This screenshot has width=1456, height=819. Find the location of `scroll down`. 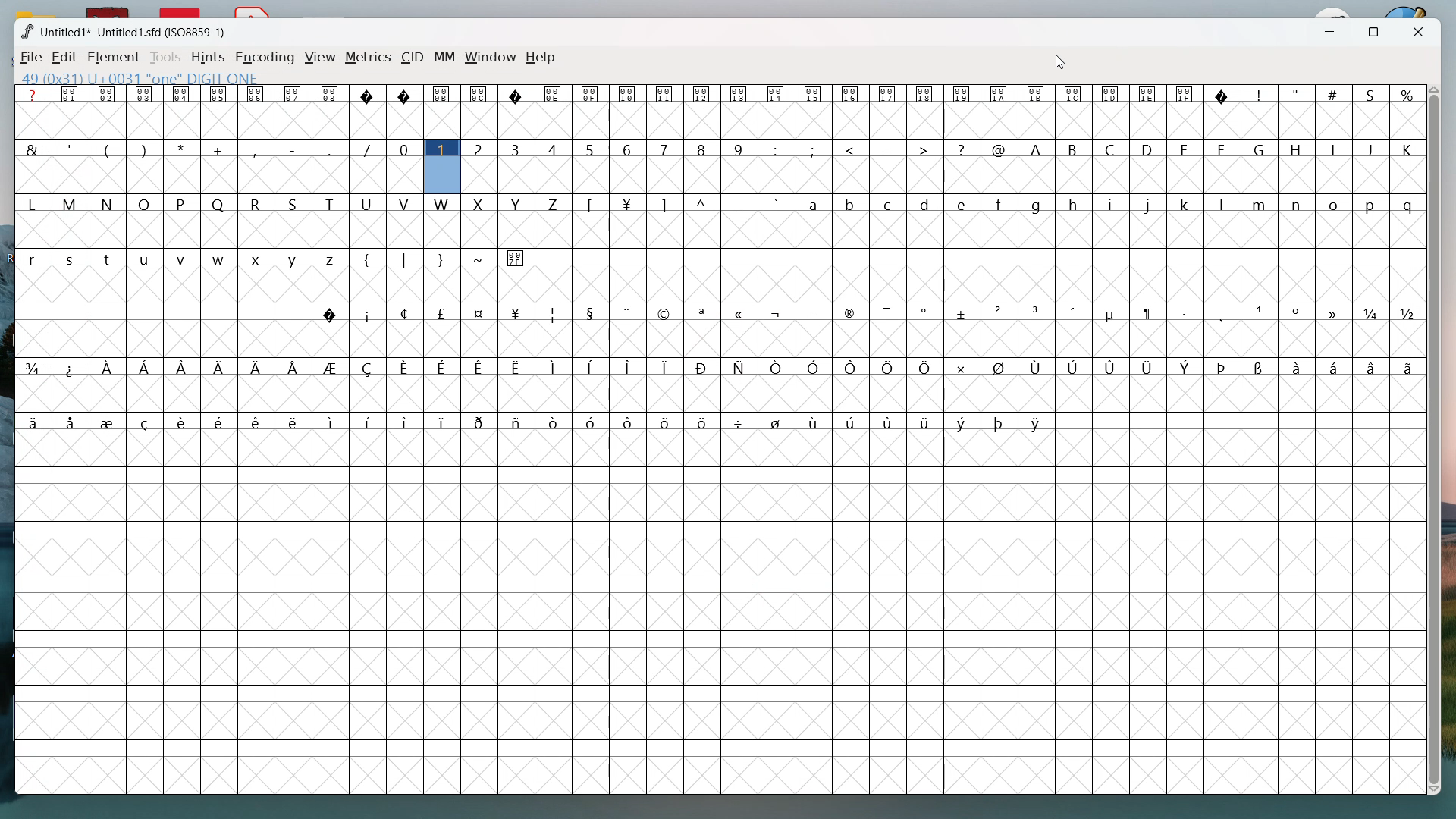

scroll down is located at coordinates (1438, 792).